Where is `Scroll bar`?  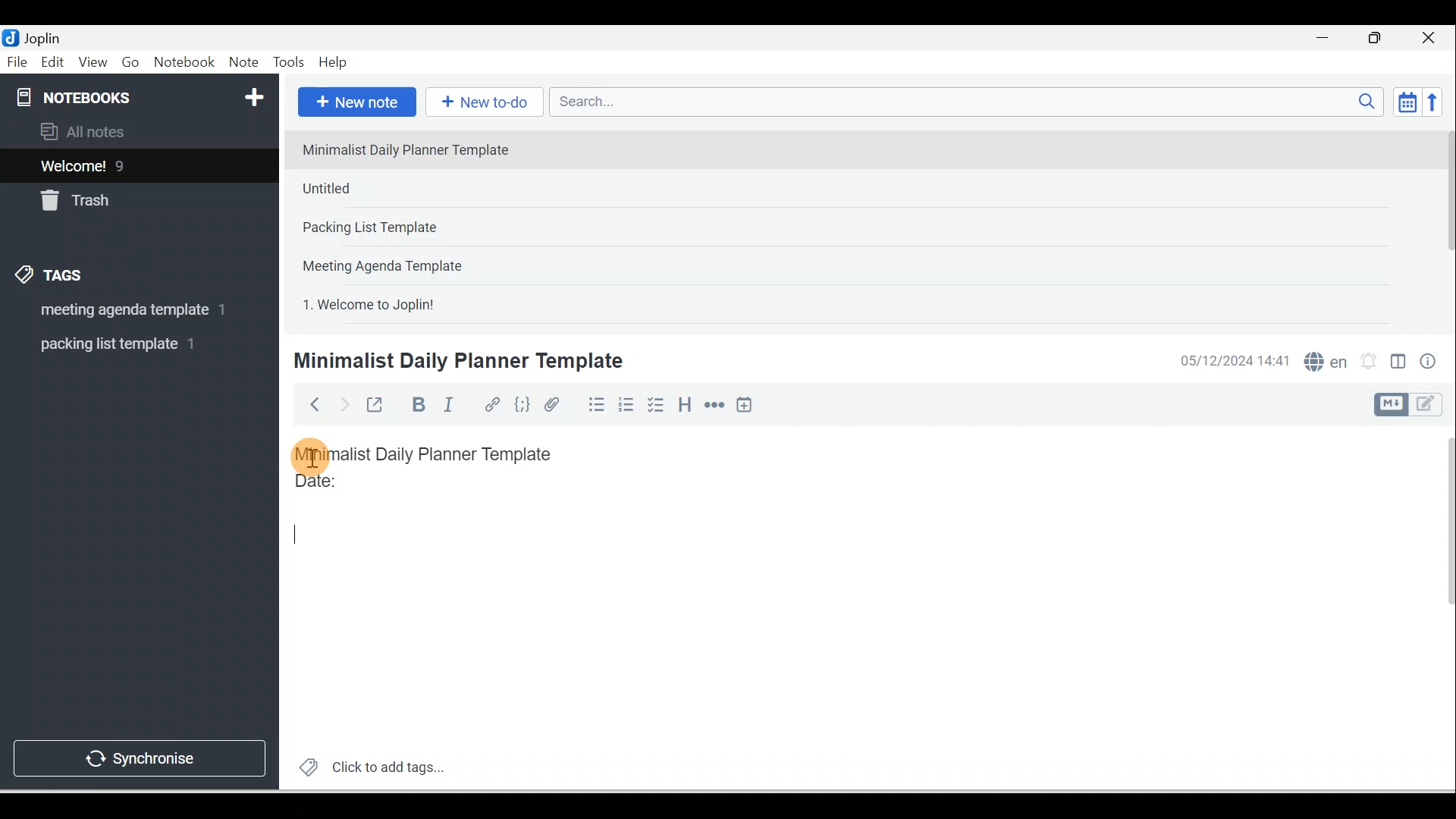 Scroll bar is located at coordinates (1444, 224).